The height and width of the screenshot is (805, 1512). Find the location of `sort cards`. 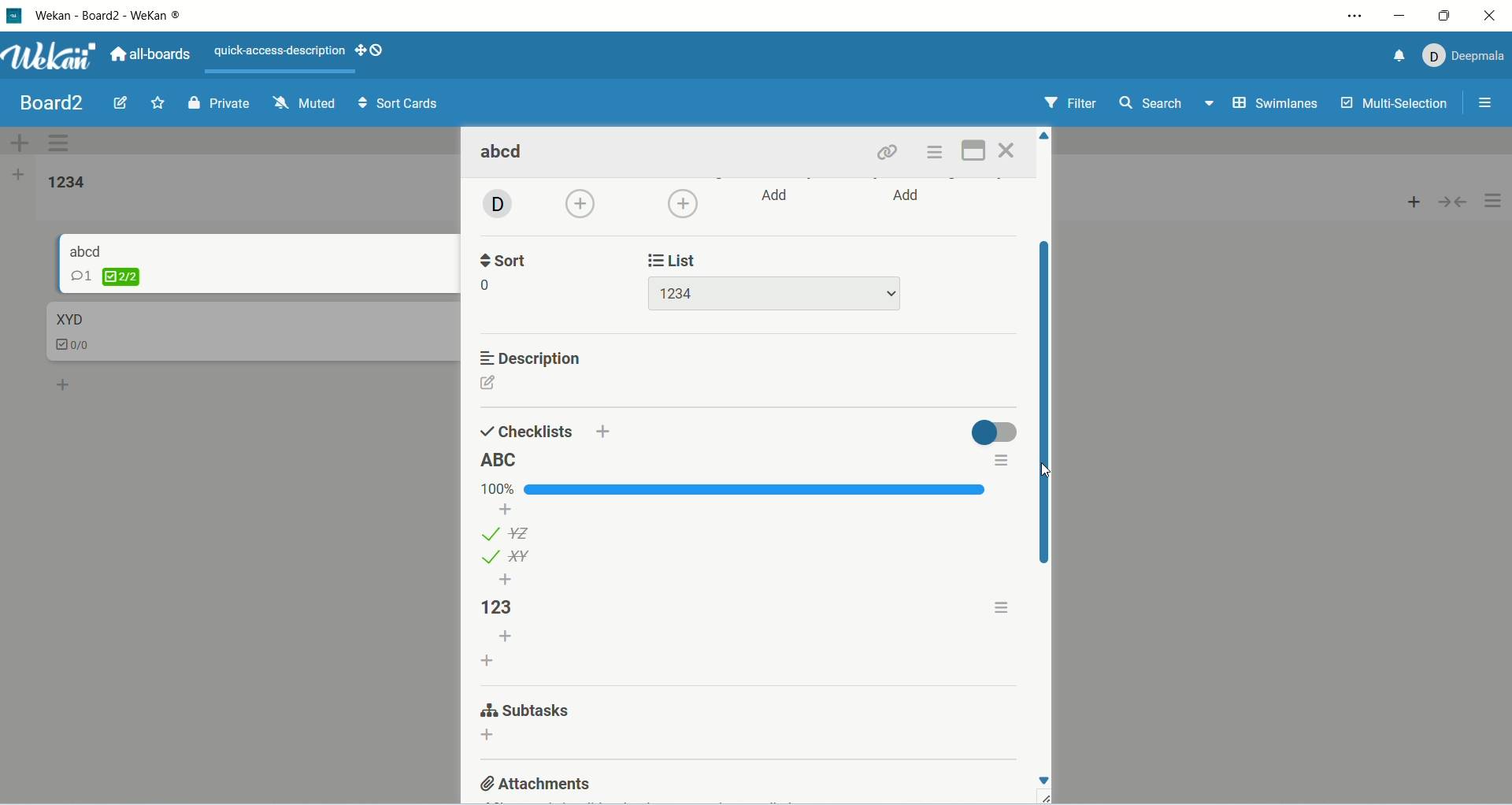

sort cards is located at coordinates (400, 104).